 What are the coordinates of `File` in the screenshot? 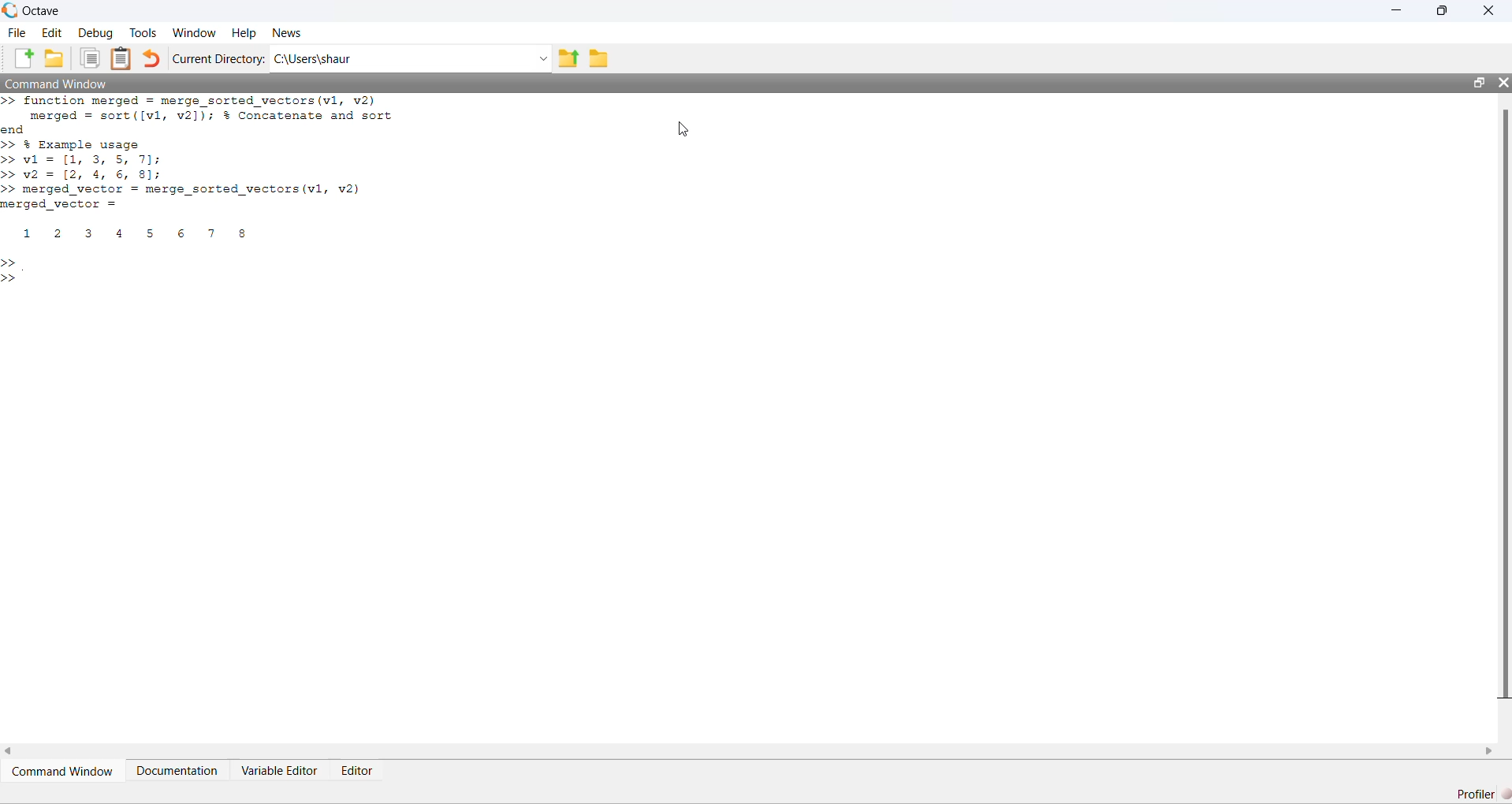 It's located at (17, 32).